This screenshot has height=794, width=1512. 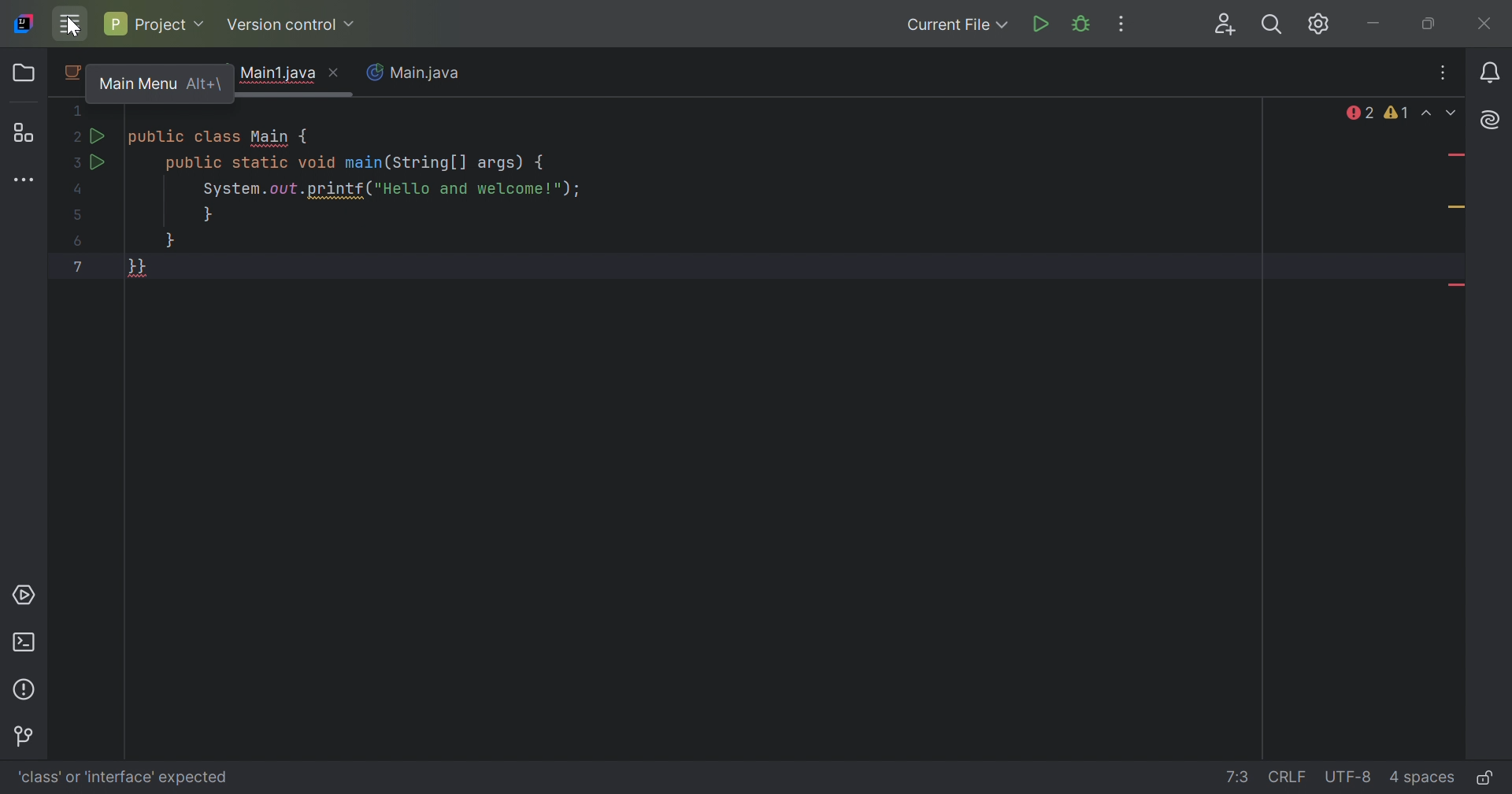 I want to click on indent: 4 spaces, so click(x=1425, y=779).